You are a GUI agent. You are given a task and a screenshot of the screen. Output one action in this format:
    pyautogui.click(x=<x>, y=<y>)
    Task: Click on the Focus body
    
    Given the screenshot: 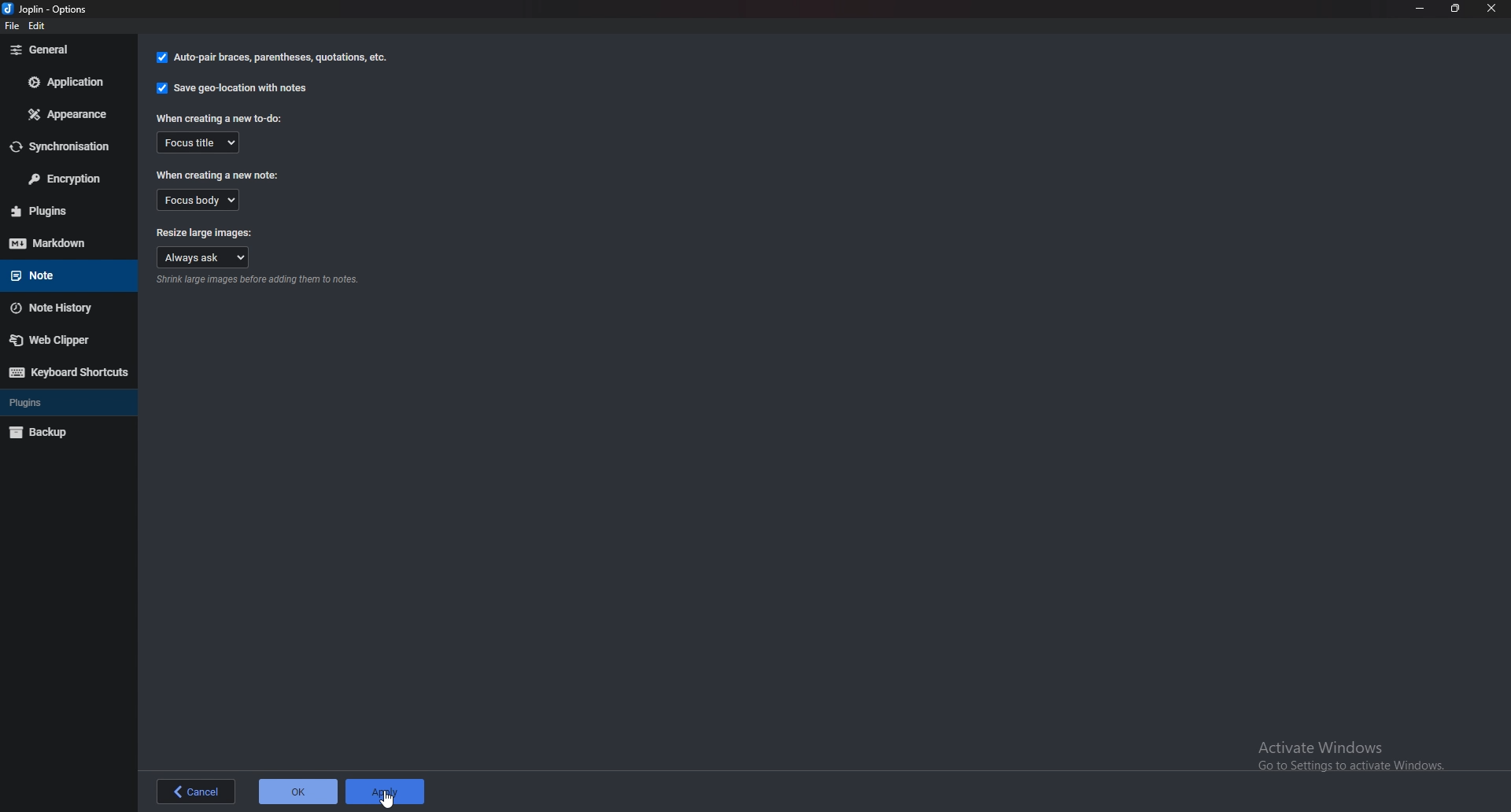 What is the action you would take?
    pyautogui.click(x=198, y=200)
    